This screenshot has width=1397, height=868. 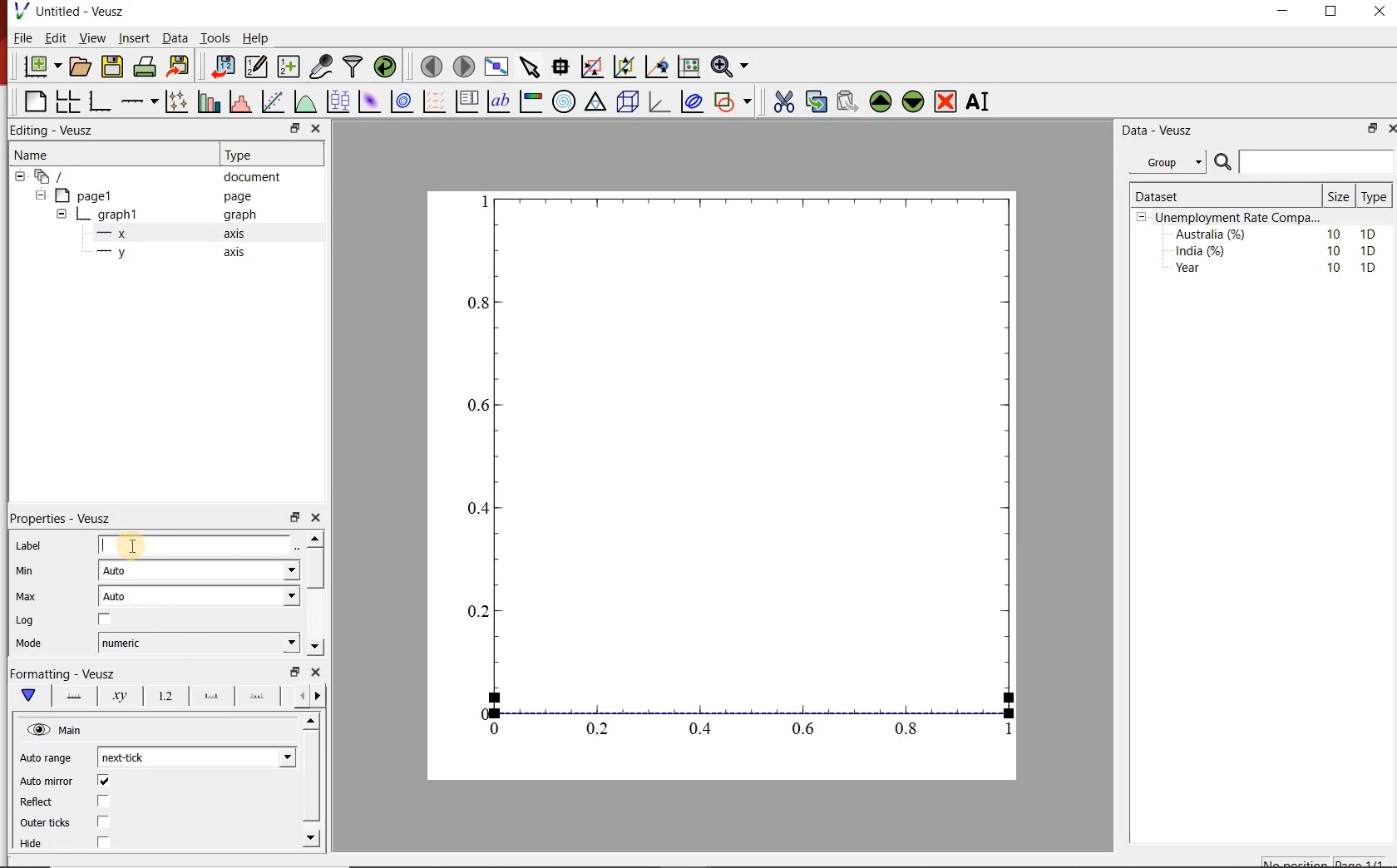 I want to click on save document, so click(x=112, y=66).